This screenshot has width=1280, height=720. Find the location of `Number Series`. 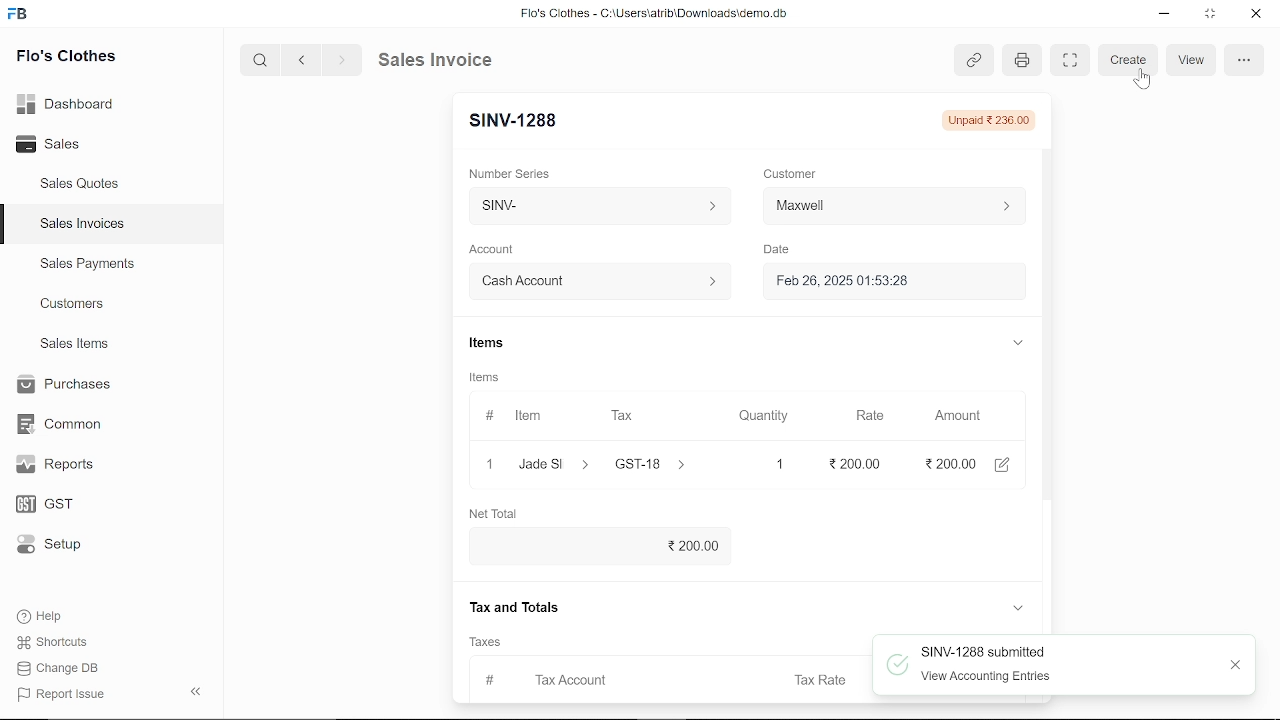

Number Series is located at coordinates (512, 173).